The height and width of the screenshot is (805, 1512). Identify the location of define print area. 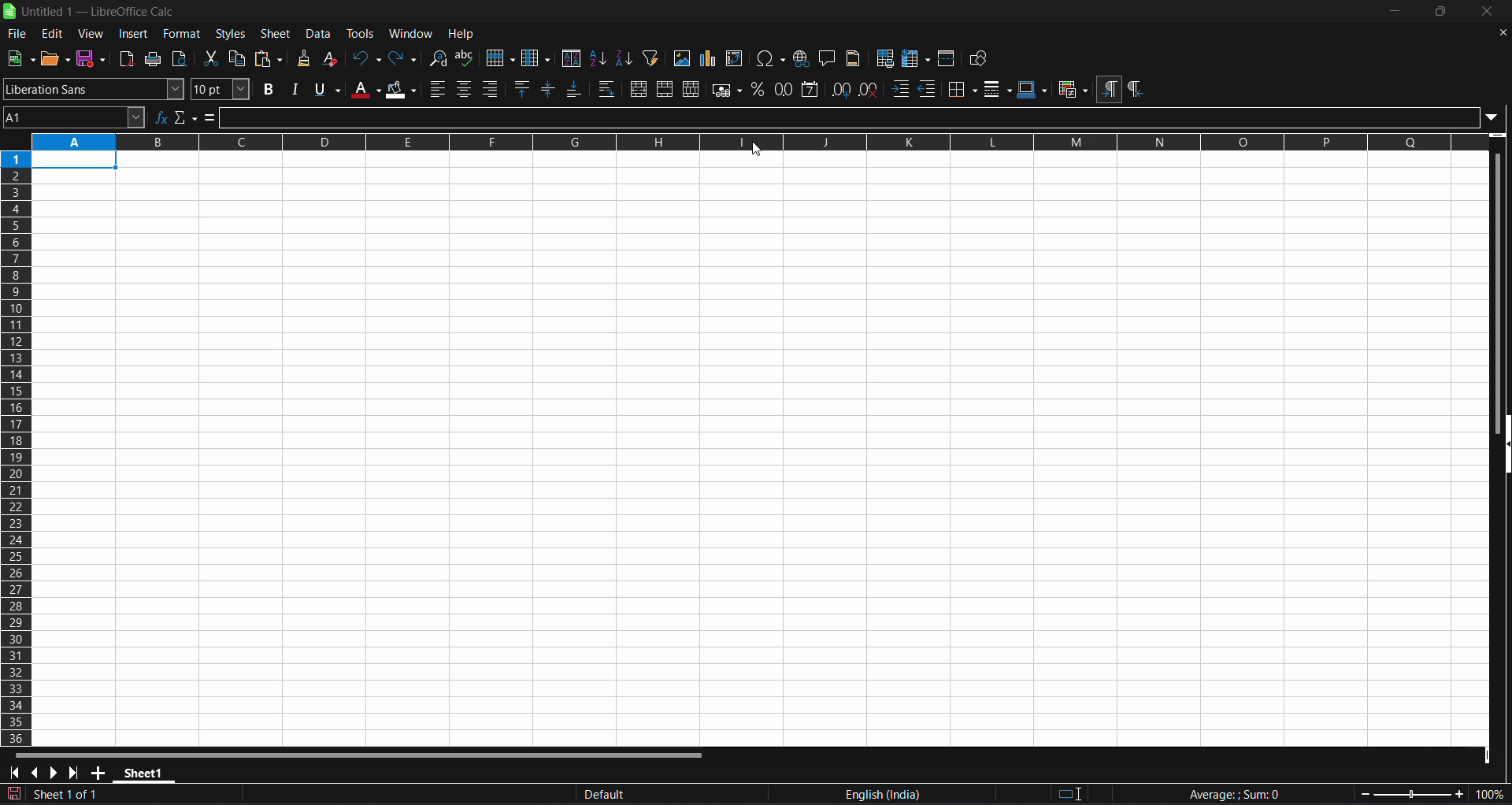
(884, 58).